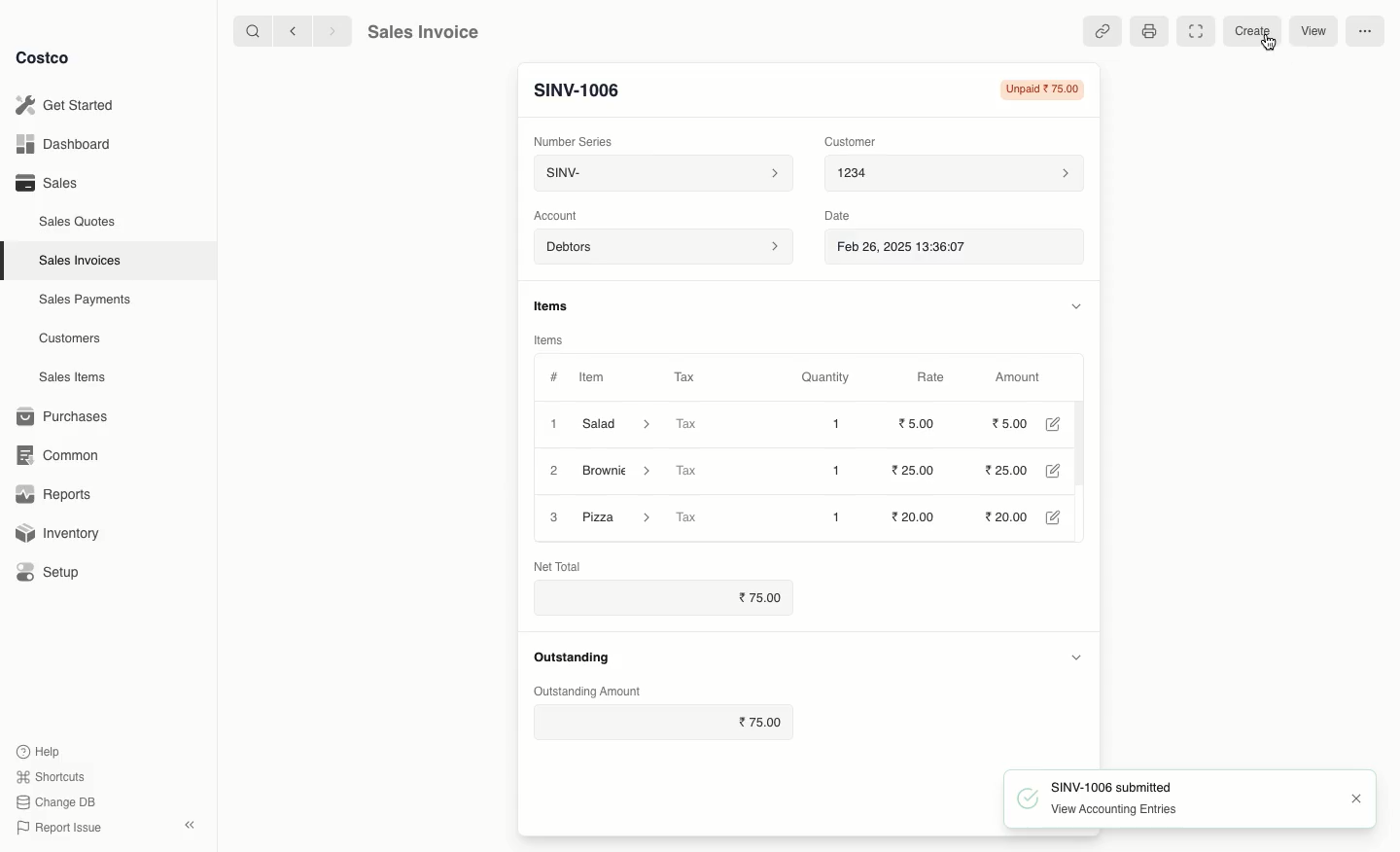 The image size is (1400, 852). What do you see at coordinates (837, 519) in the screenshot?
I see `1` at bounding box center [837, 519].